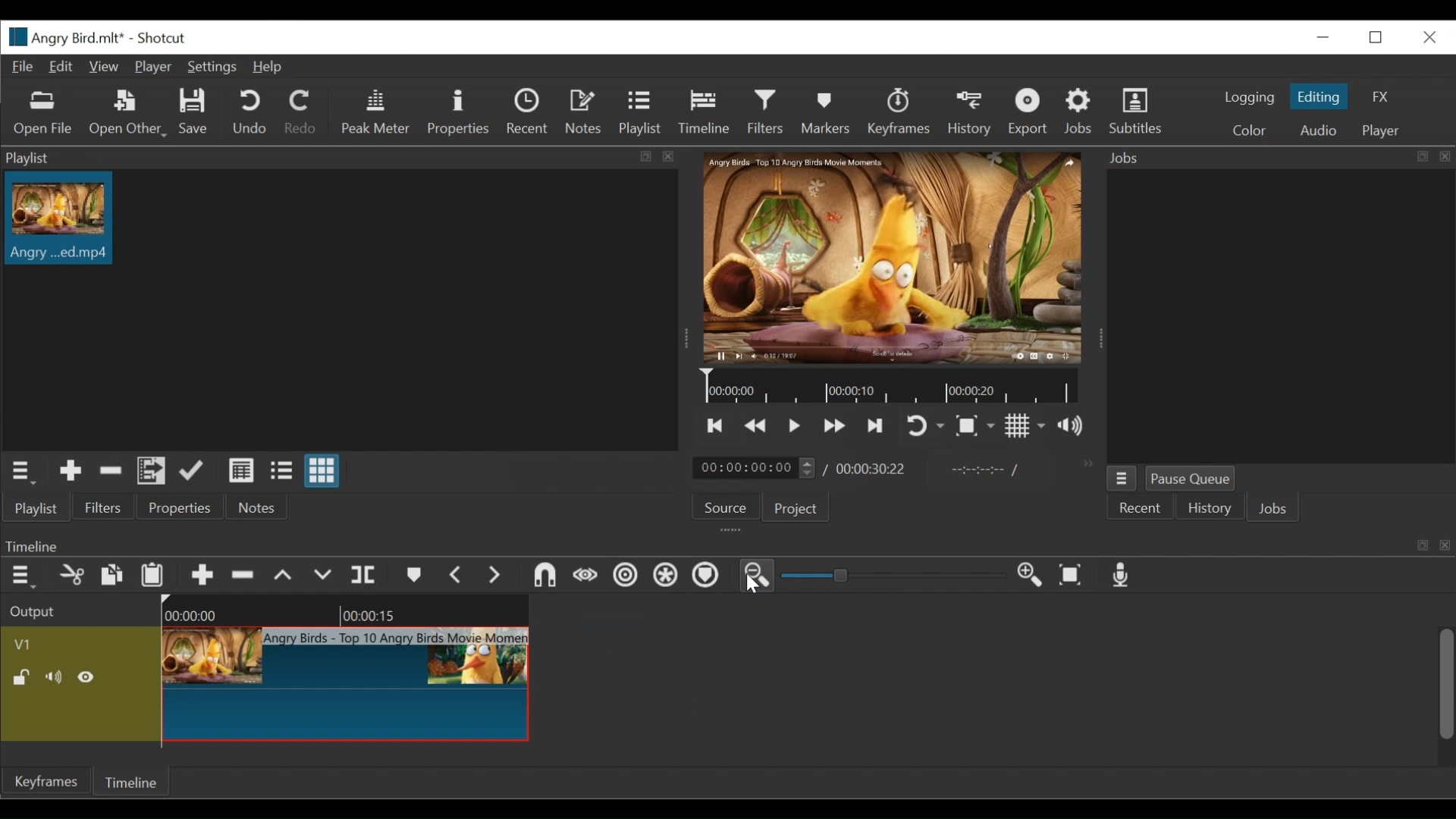  I want to click on Notes, so click(258, 507).